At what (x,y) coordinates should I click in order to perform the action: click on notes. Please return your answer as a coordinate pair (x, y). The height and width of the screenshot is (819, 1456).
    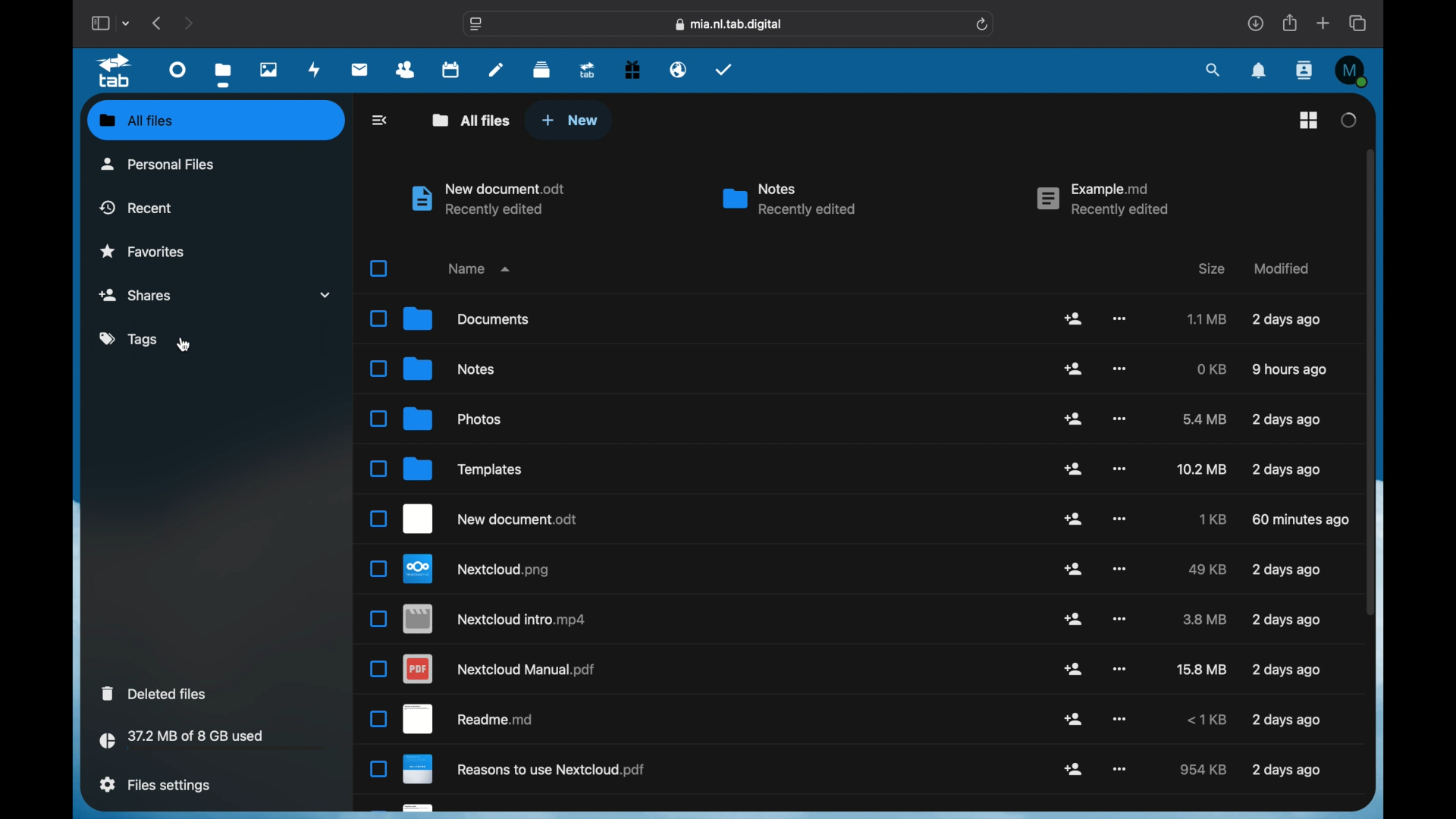
    Looking at the image, I should click on (450, 368).